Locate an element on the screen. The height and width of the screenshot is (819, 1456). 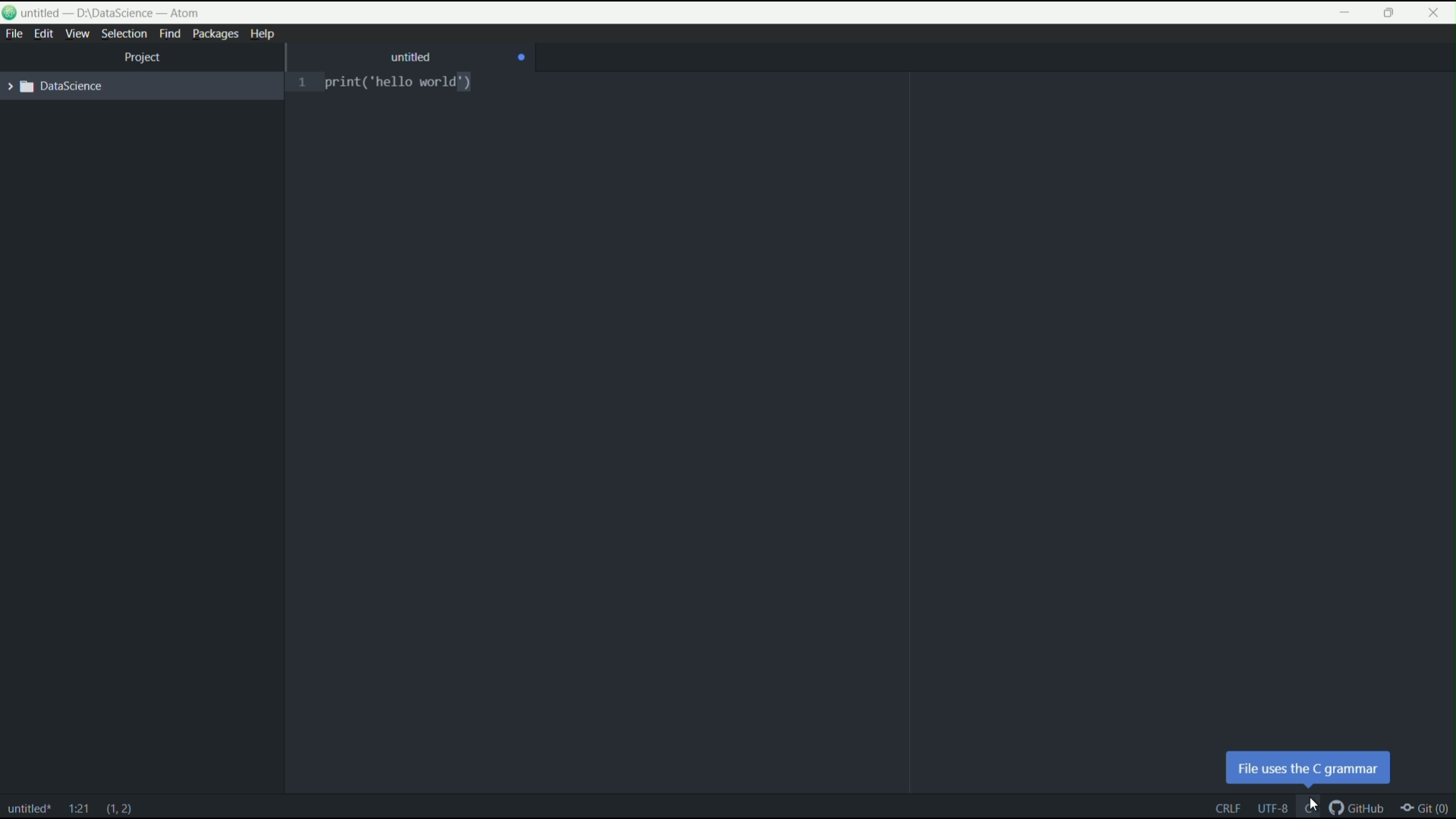
github is located at coordinates (1359, 809).